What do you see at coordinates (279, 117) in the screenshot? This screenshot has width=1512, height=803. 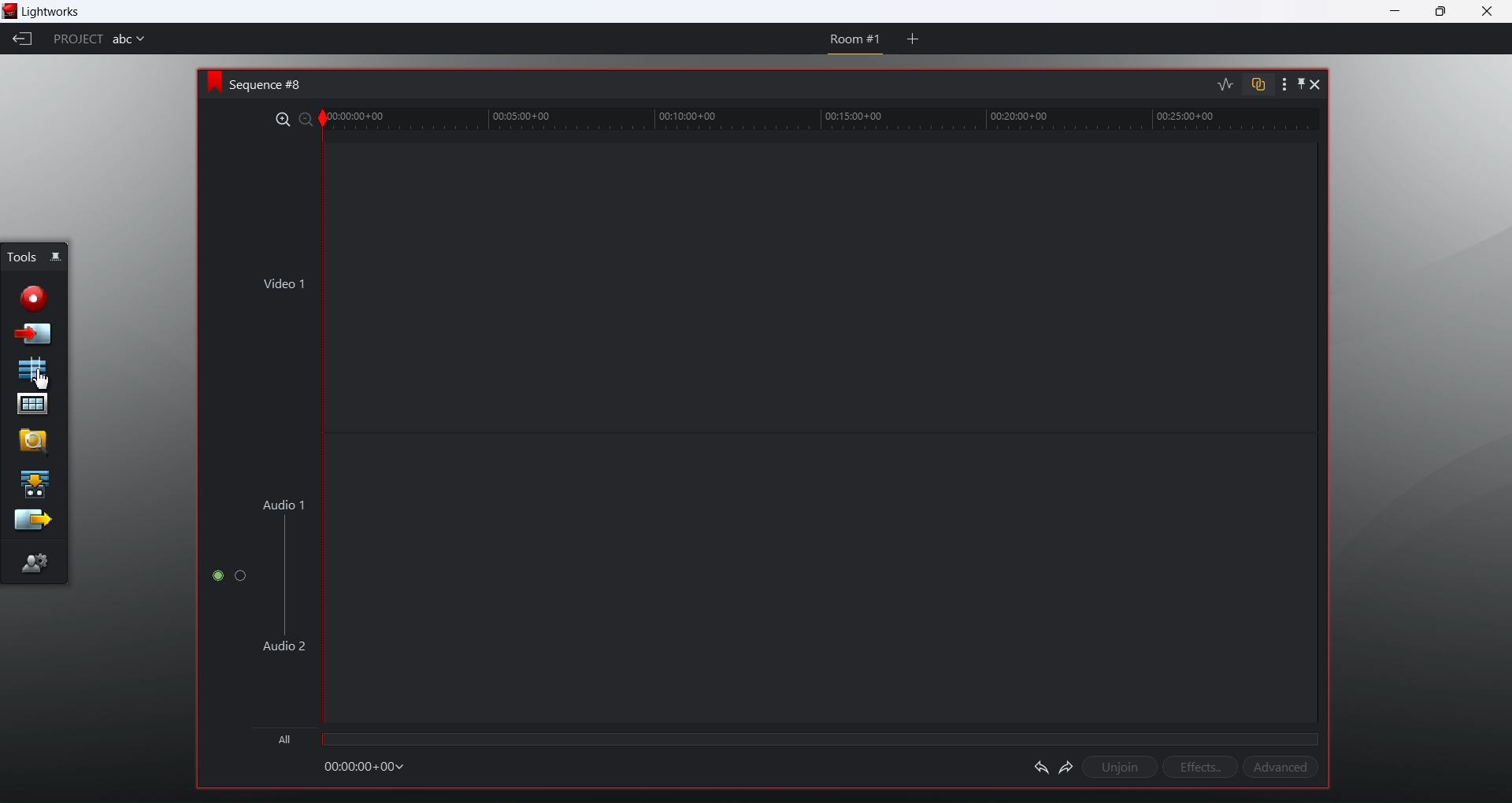 I see `zoom in` at bounding box center [279, 117].